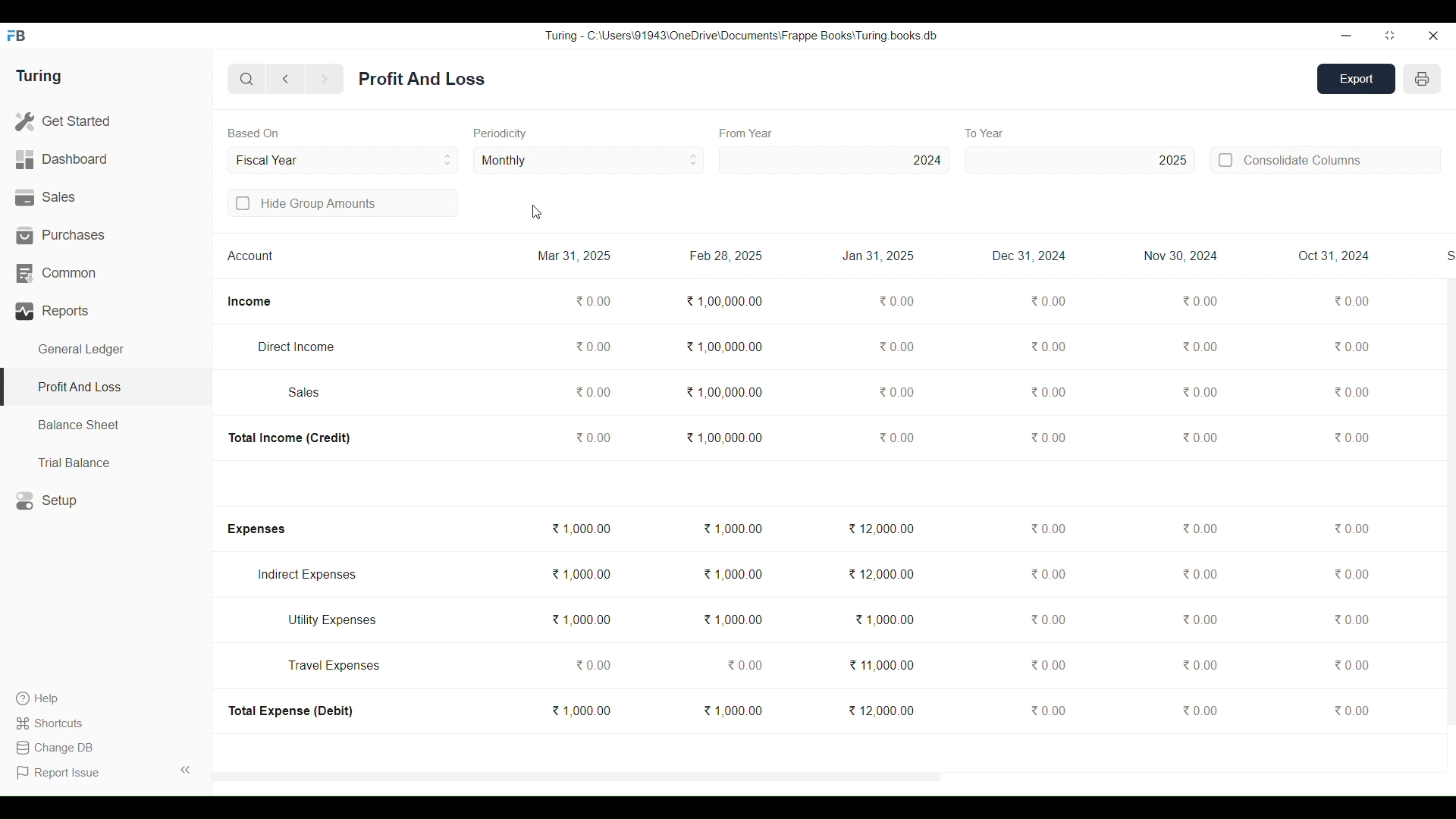  Describe the element at coordinates (1199, 665) in the screenshot. I see `0.00` at that location.